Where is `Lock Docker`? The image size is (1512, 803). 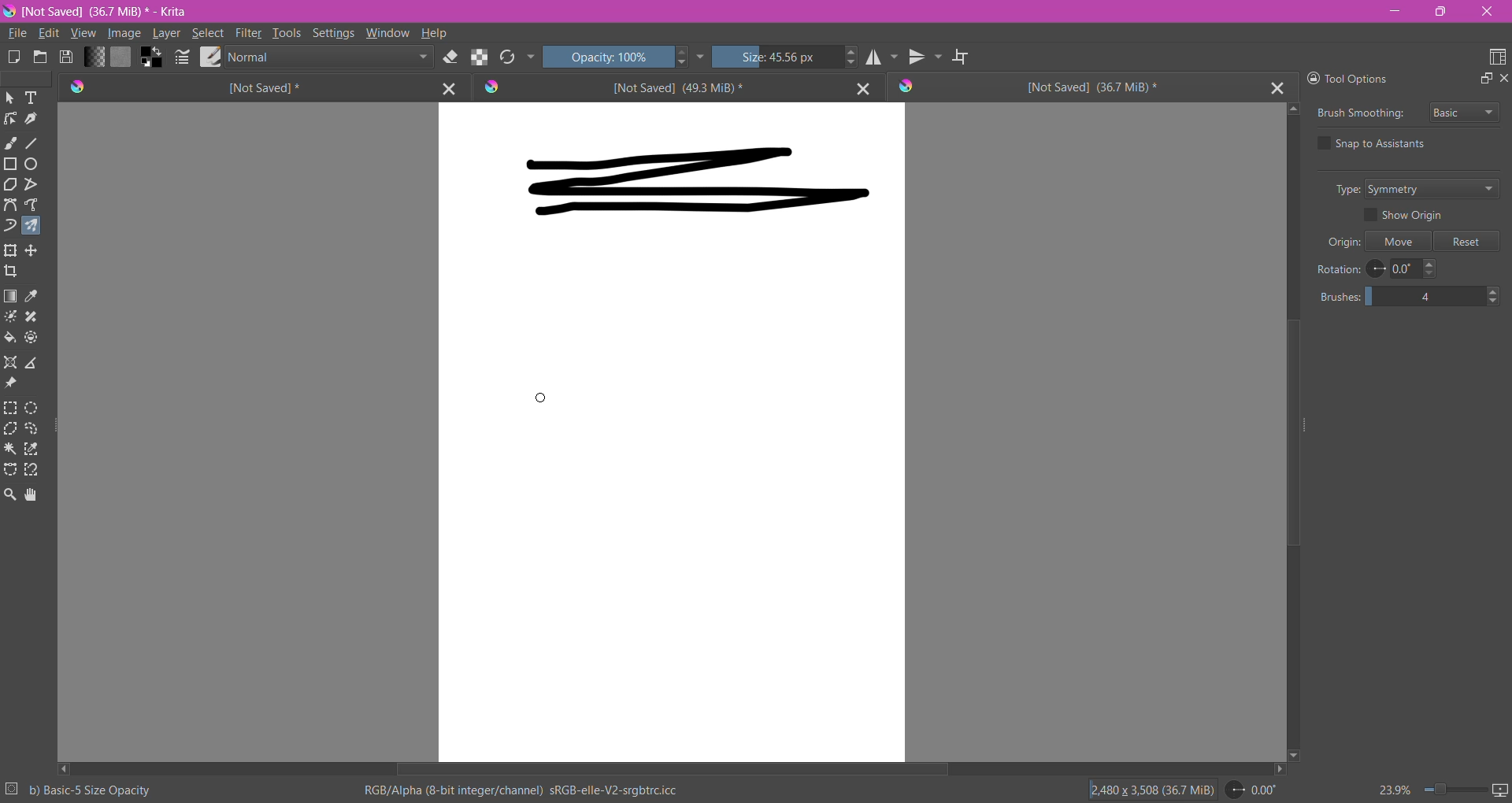 Lock Docker is located at coordinates (1309, 78).